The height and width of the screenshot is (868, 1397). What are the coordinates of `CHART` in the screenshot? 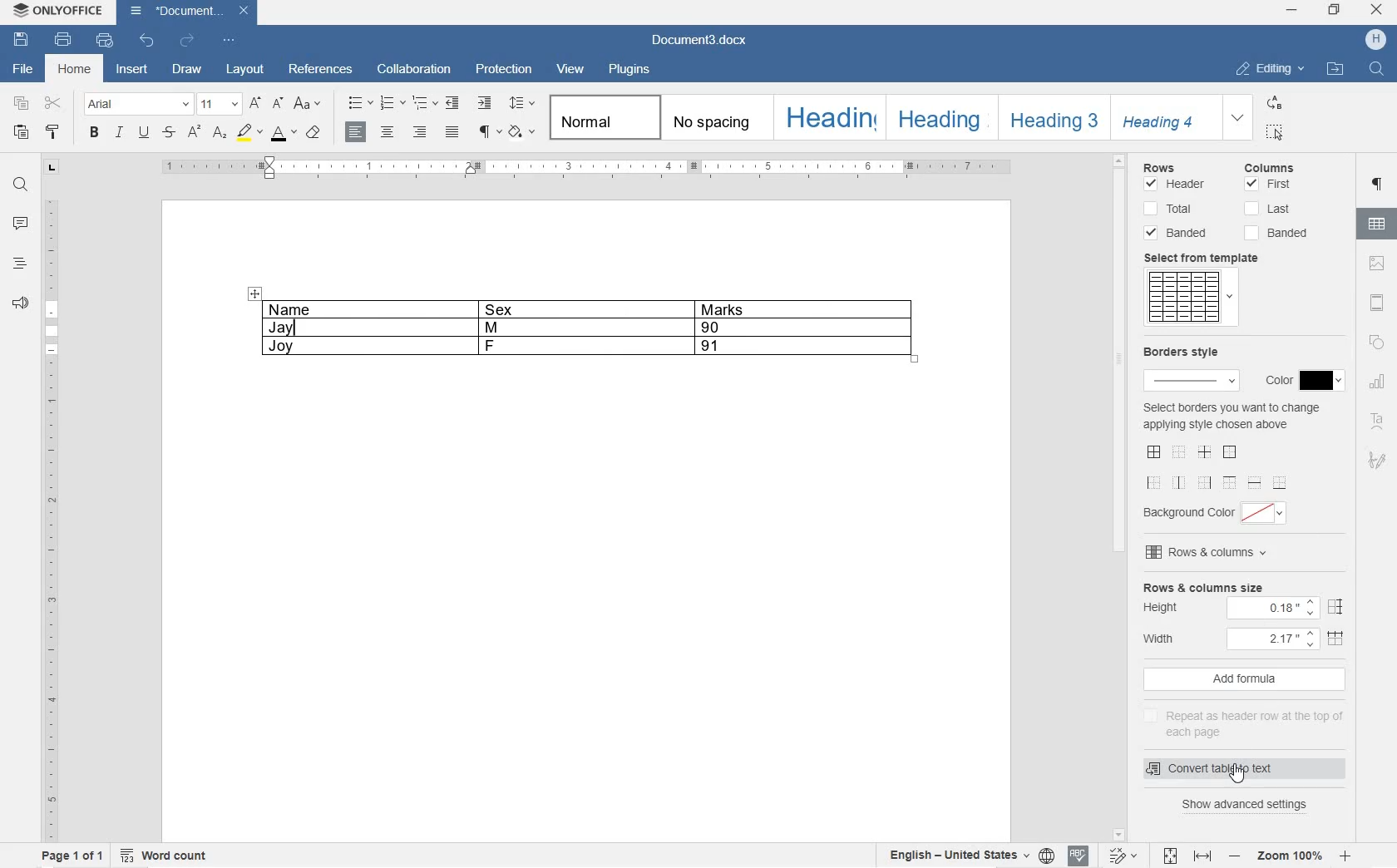 It's located at (1377, 384).